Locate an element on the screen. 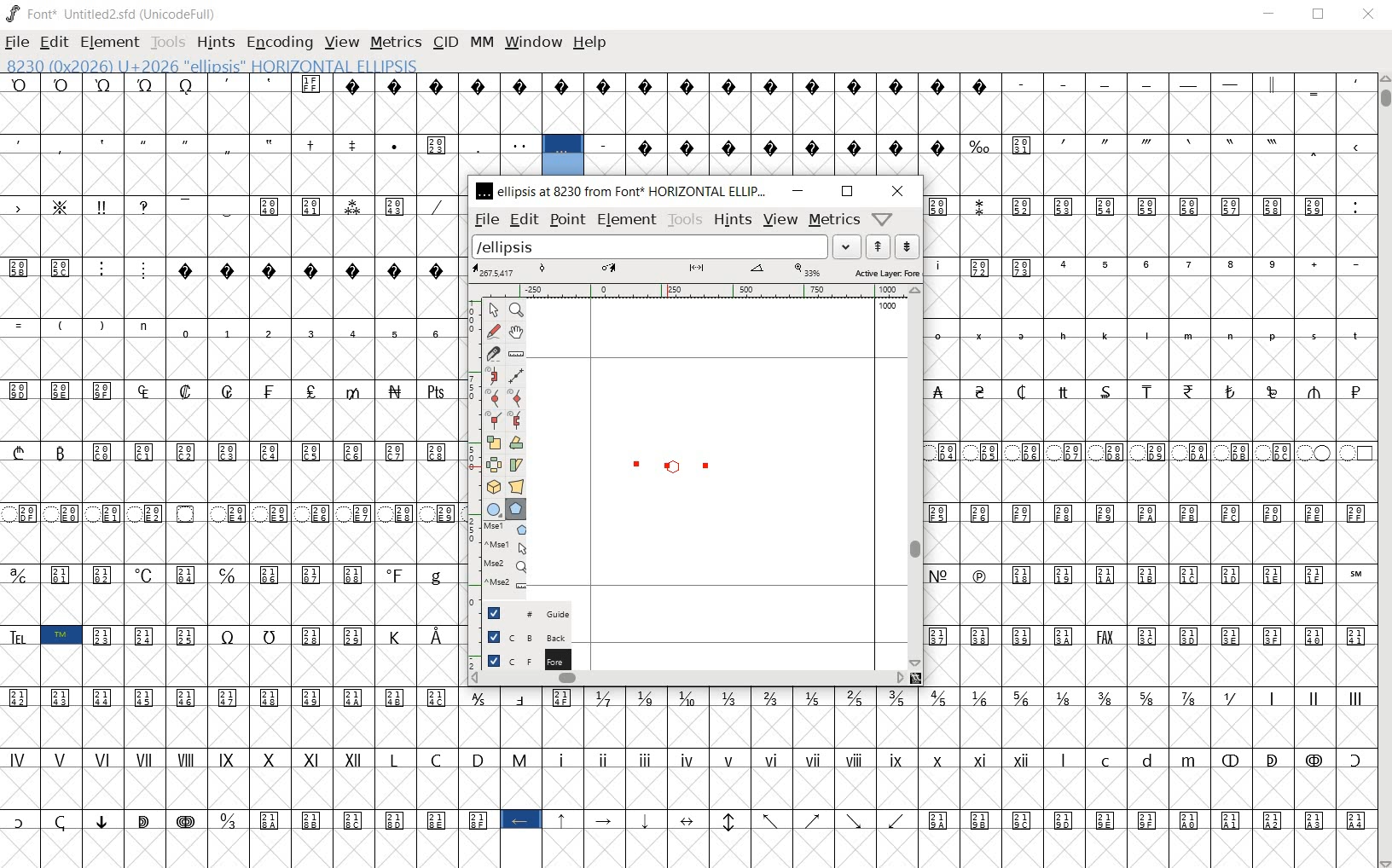  scrollbar is located at coordinates (687, 678).